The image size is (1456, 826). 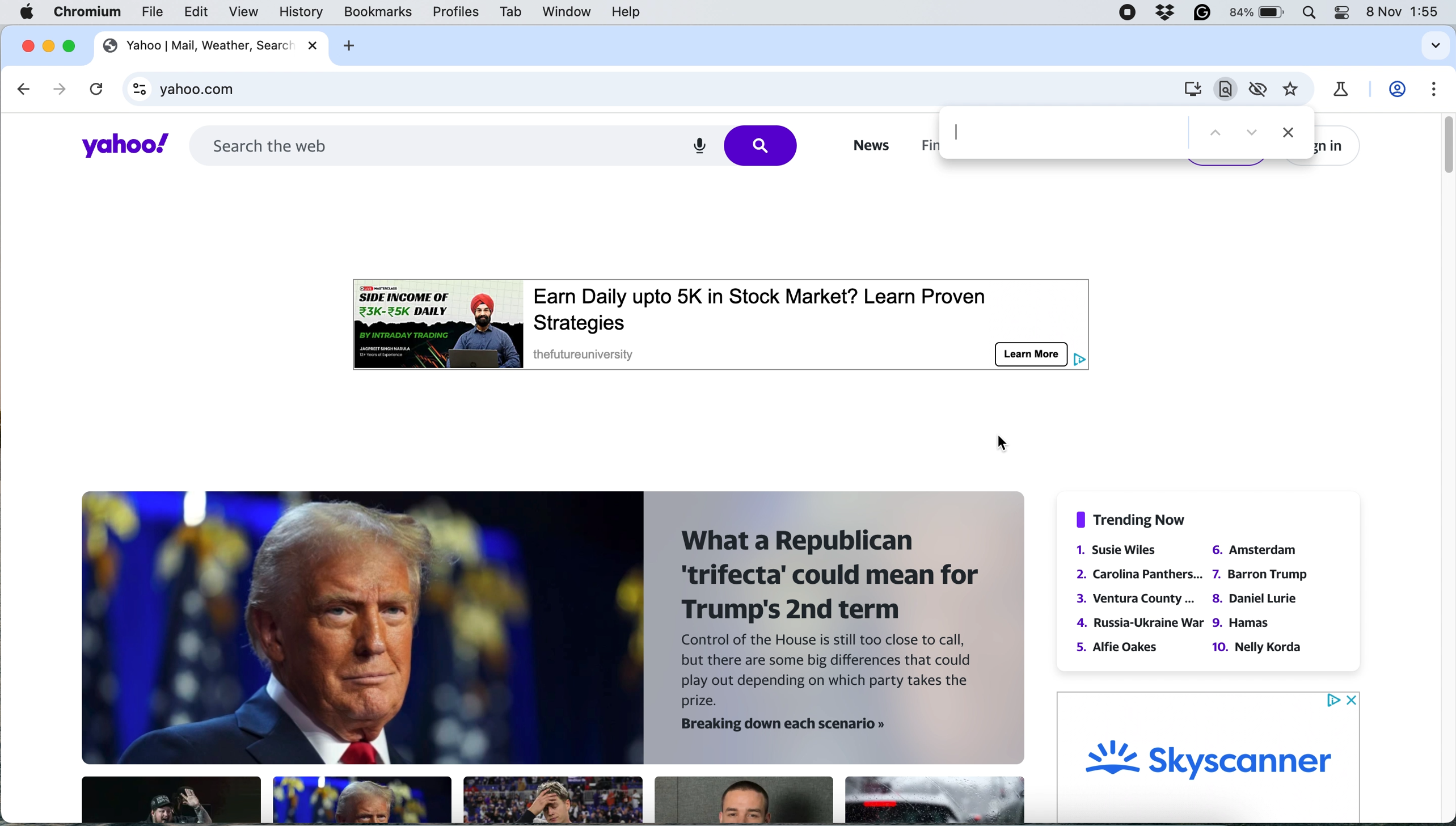 What do you see at coordinates (1260, 575) in the screenshot?
I see `Barron` at bounding box center [1260, 575].